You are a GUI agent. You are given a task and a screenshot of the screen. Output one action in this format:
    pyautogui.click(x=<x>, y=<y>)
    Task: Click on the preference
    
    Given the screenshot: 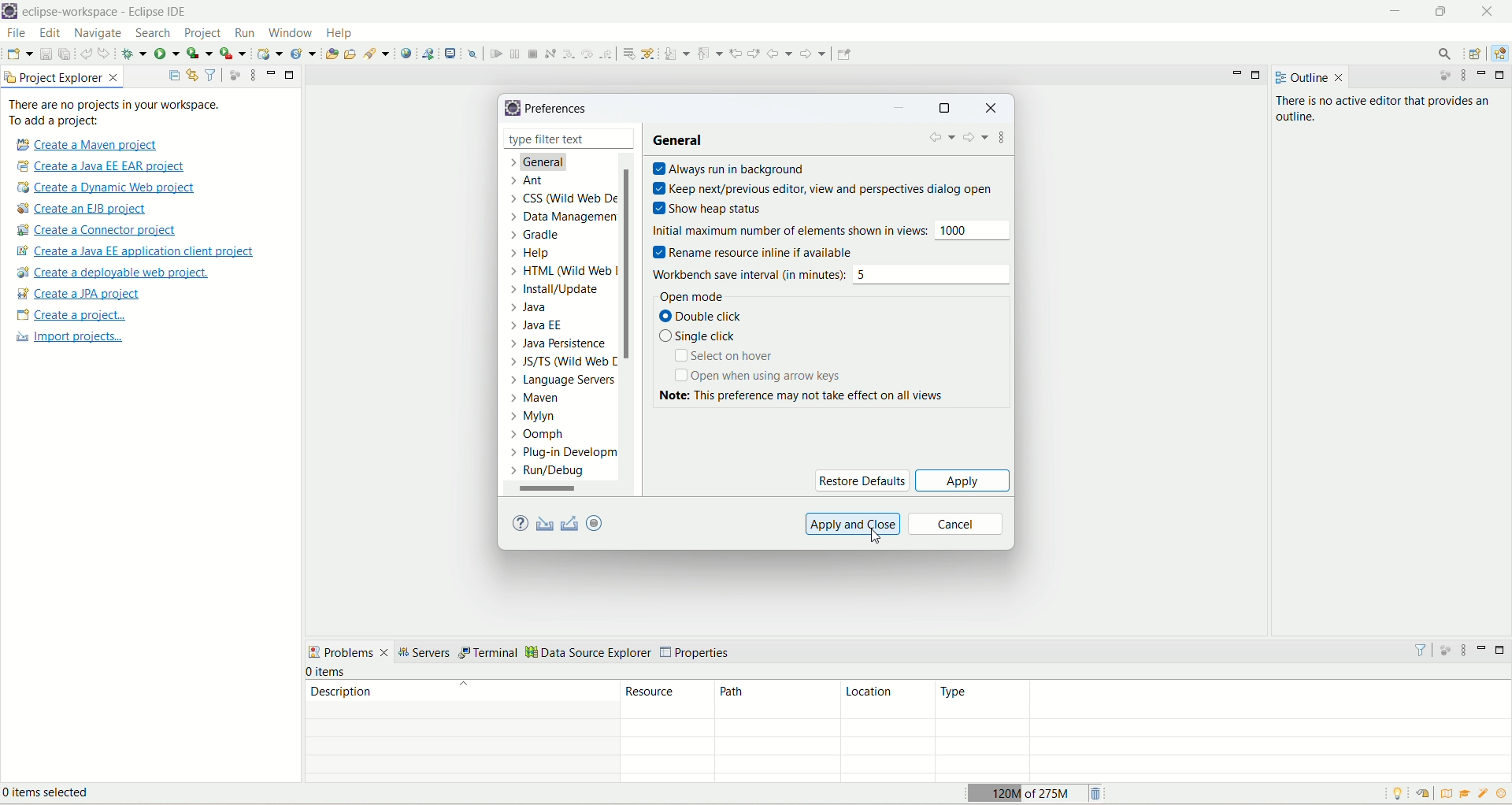 What is the action you would take?
    pyautogui.click(x=559, y=109)
    